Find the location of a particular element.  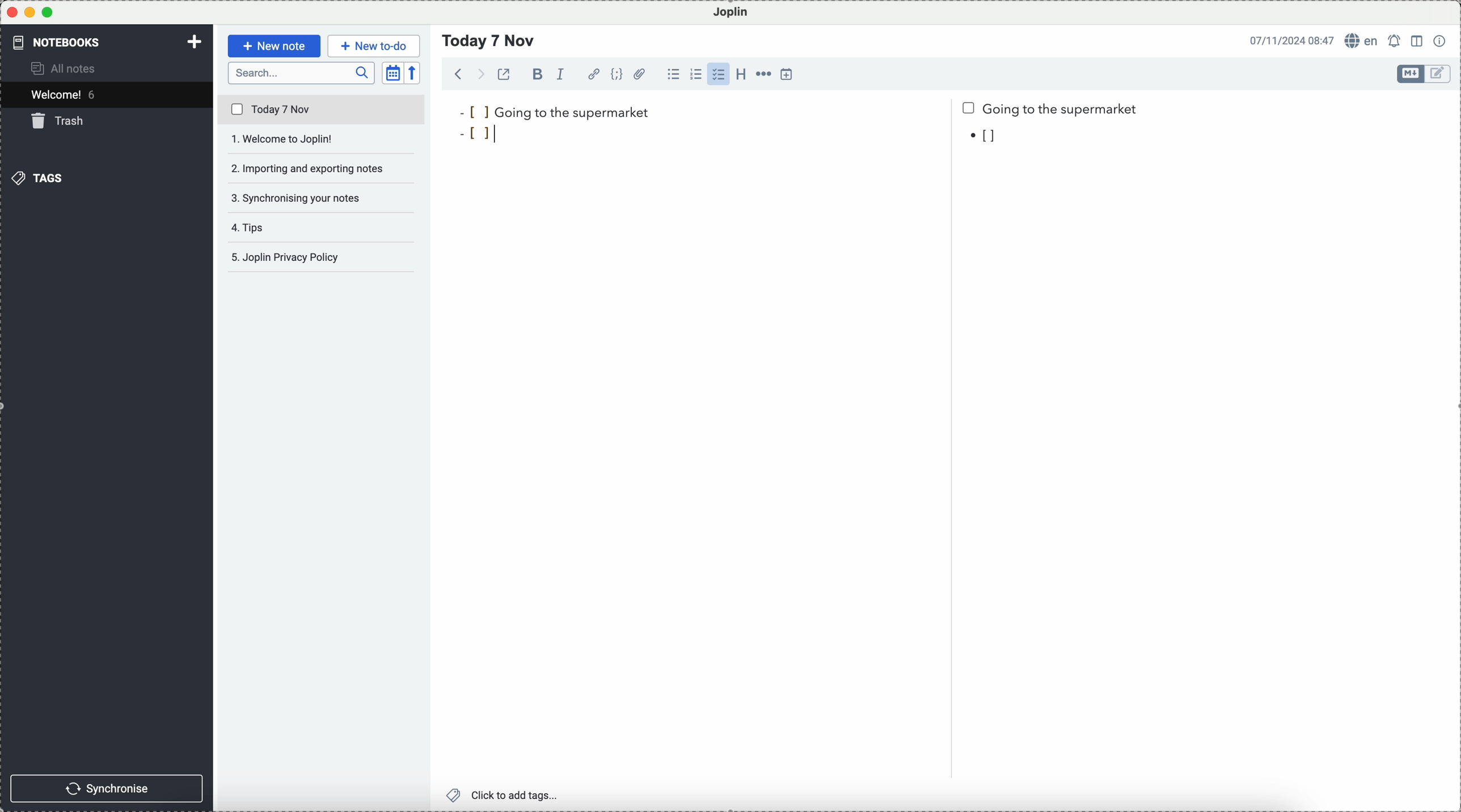

reverse sort order is located at coordinates (413, 73).